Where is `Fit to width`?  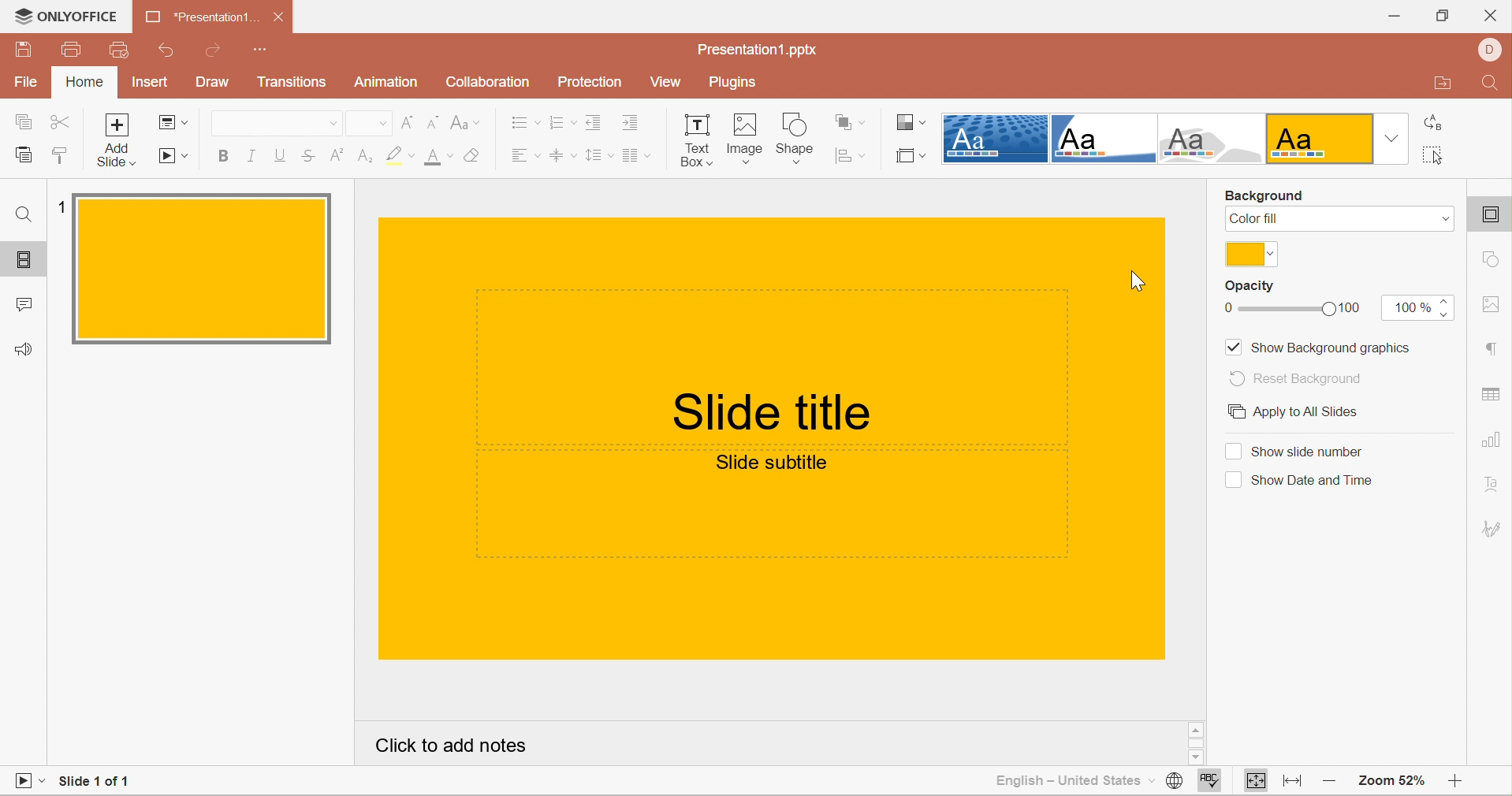 Fit to width is located at coordinates (1295, 783).